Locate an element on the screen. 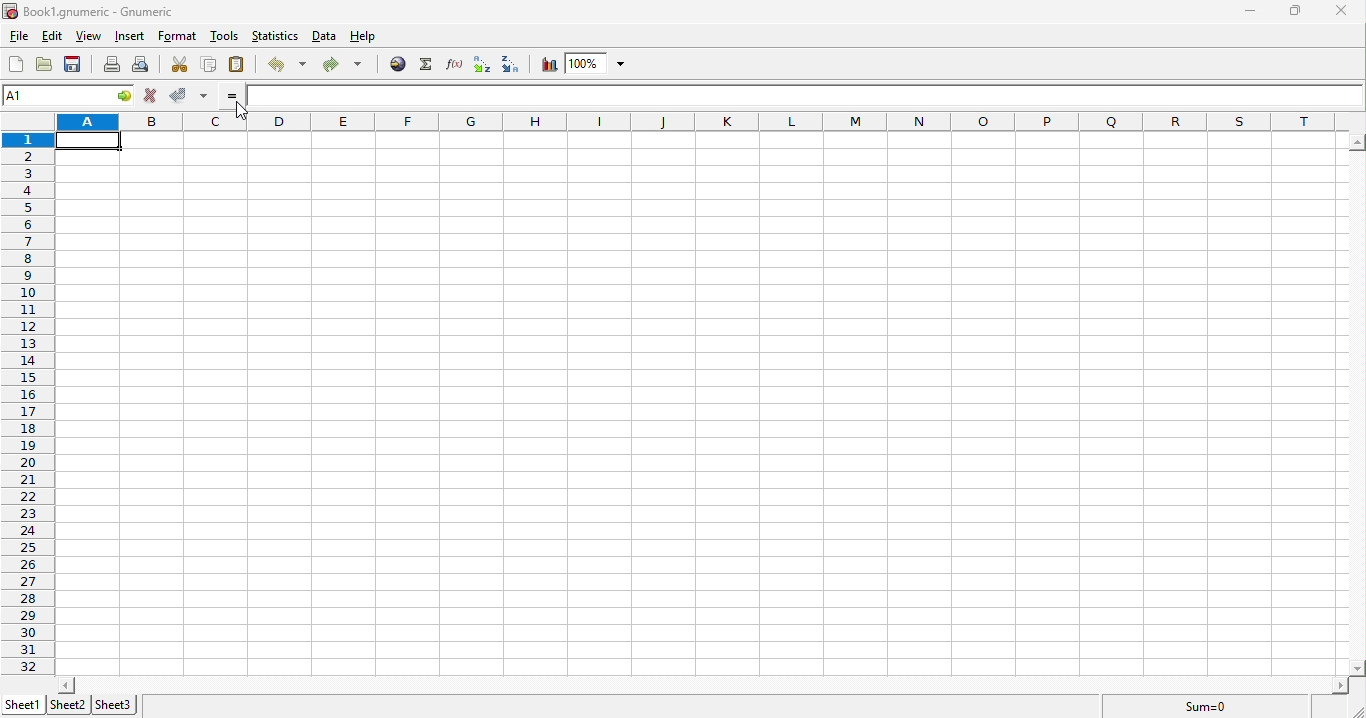  space for horizontal scroll bar is located at coordinates (695, 685).